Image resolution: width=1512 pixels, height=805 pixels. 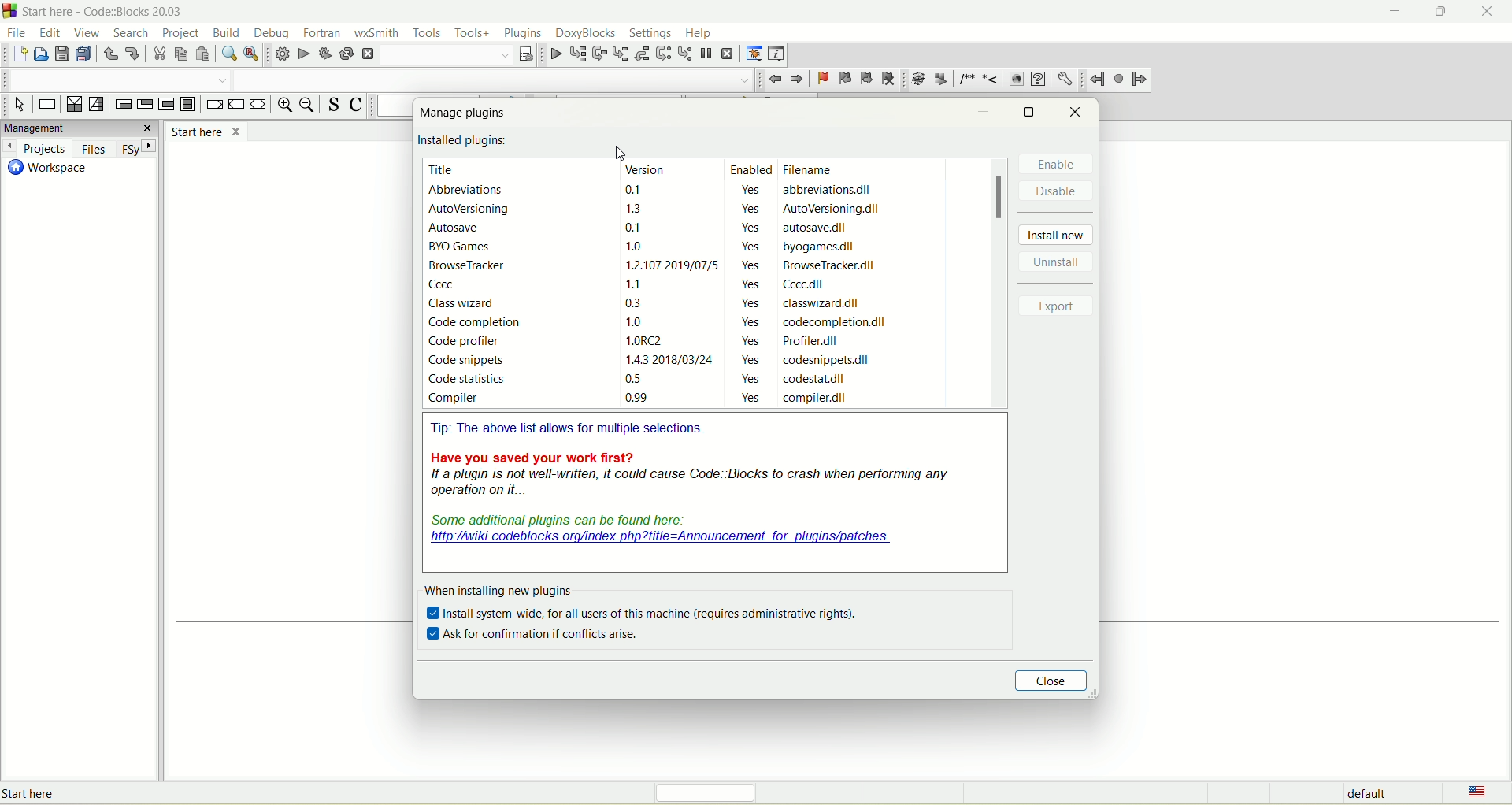 What do you see at coordinates (83, 54) in the screenshot?
I see `save everything` at bounding box center [83, 54].